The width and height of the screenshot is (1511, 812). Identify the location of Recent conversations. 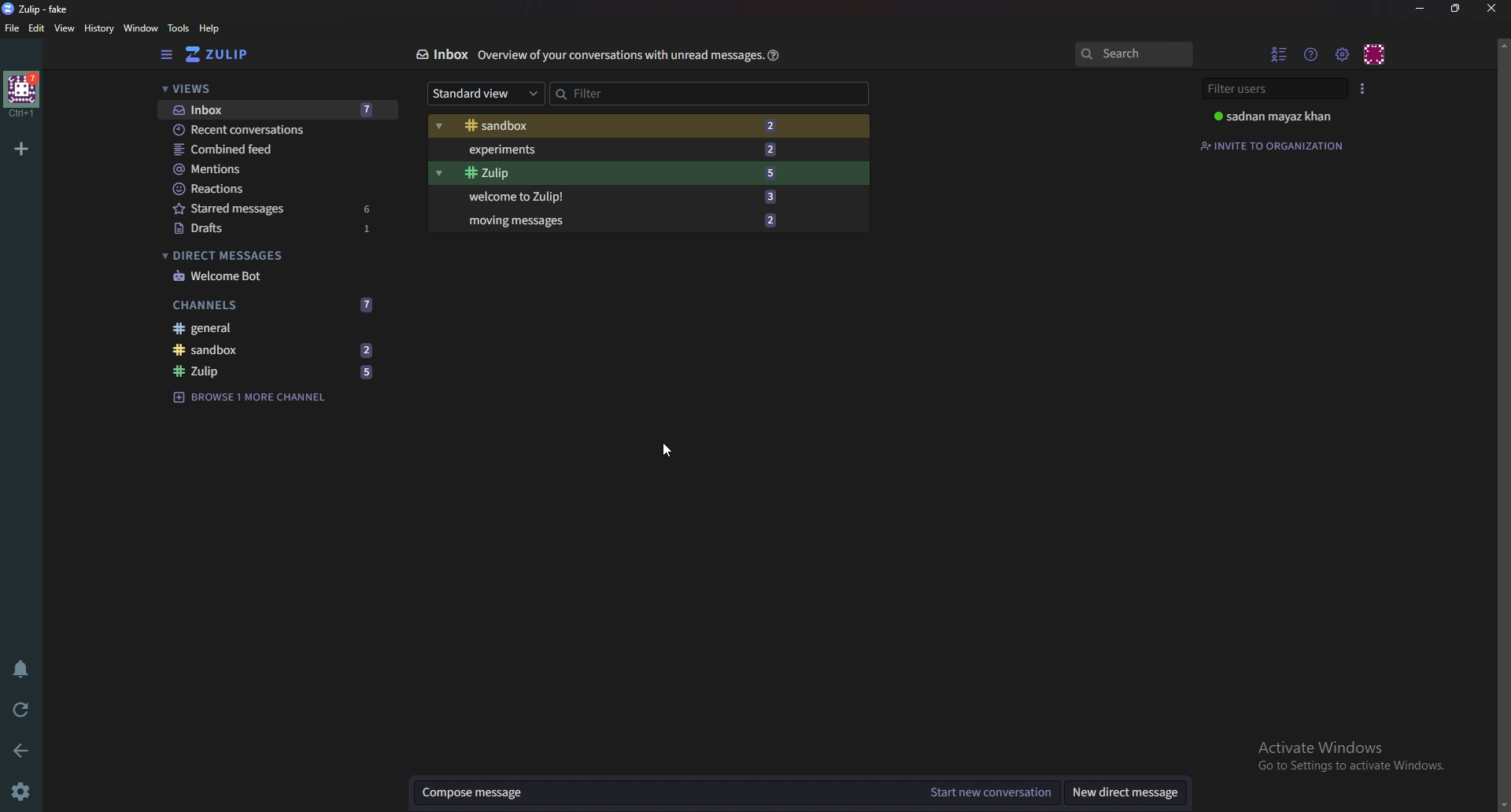
(283, 129).